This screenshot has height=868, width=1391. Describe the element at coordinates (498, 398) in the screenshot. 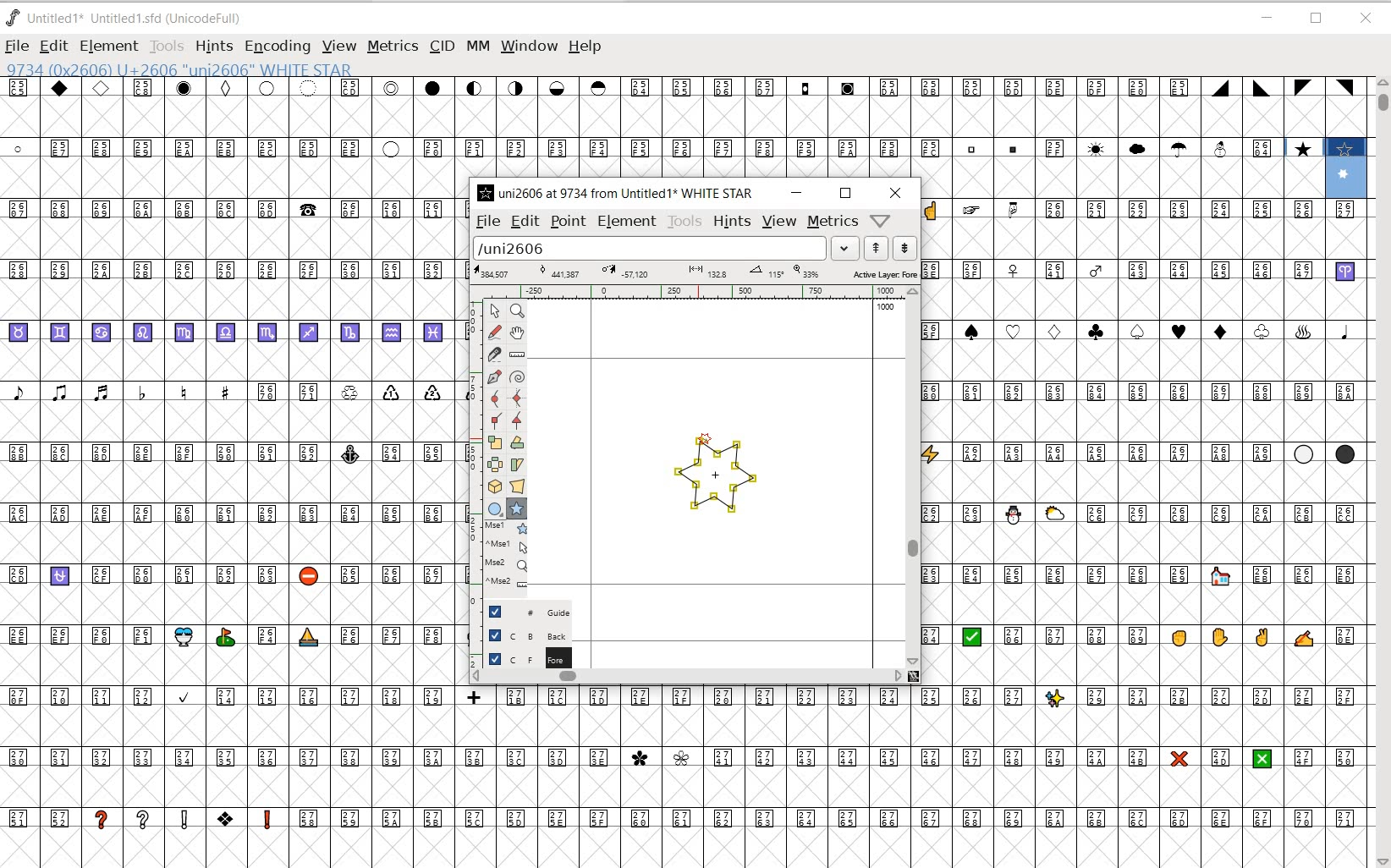

I see `ADD A CURVE POINT` at that location.